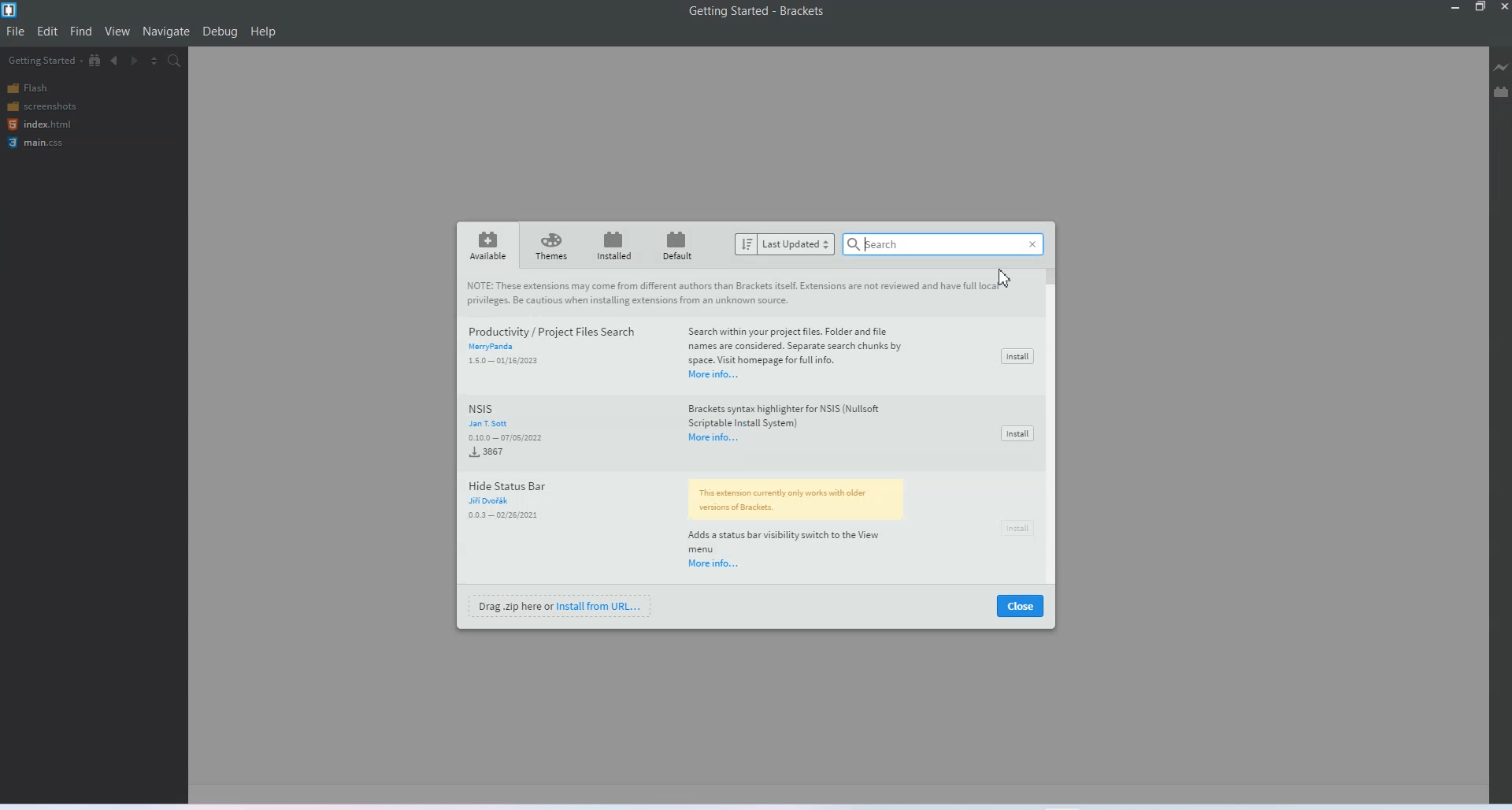  What do you see at coordinates (1020, 604) in the screenshot?
I see `Close` at bounding box center [1020, 604].